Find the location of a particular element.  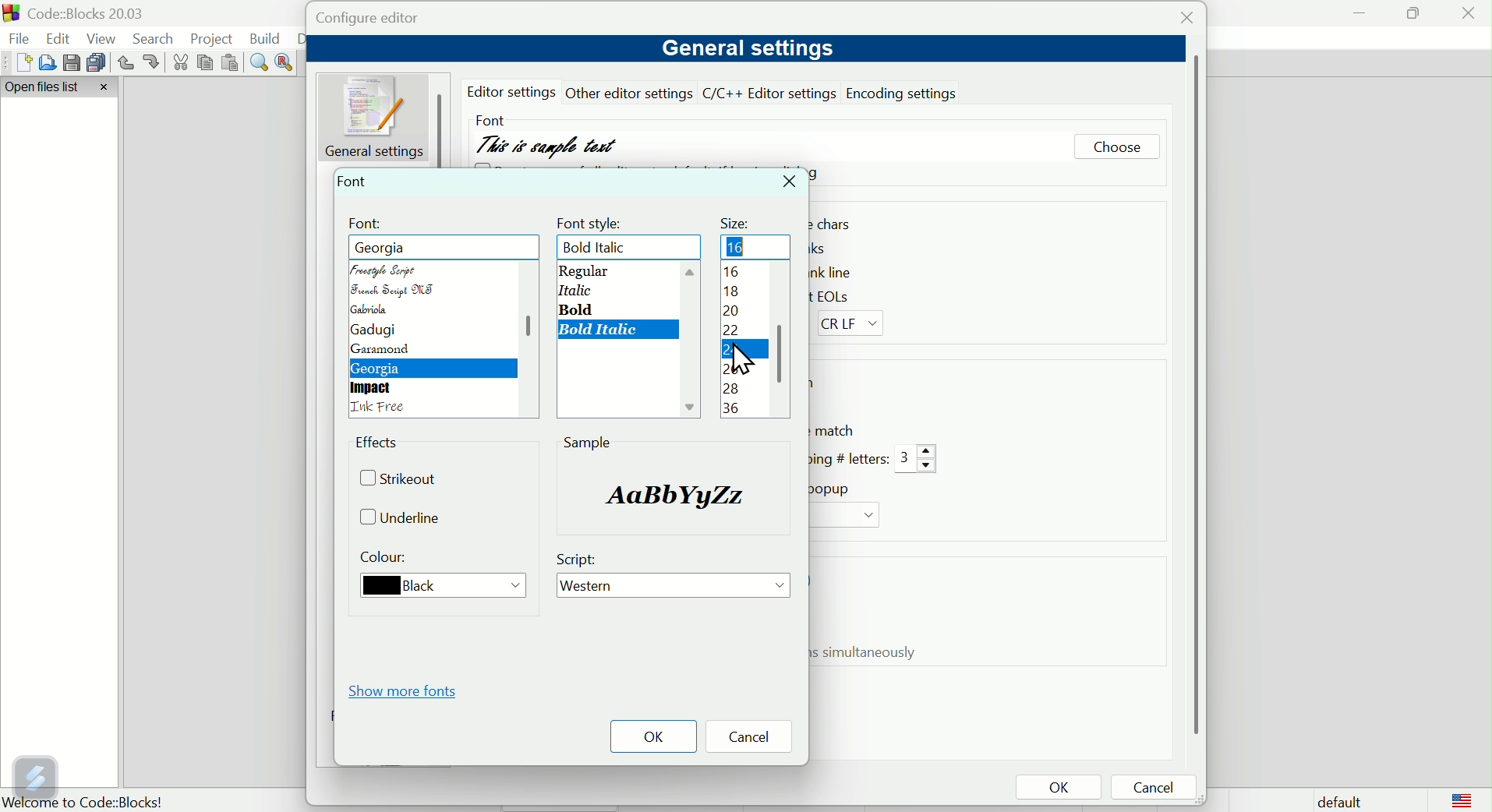

C/C++ editor setting is located at coordinates (770, 94).